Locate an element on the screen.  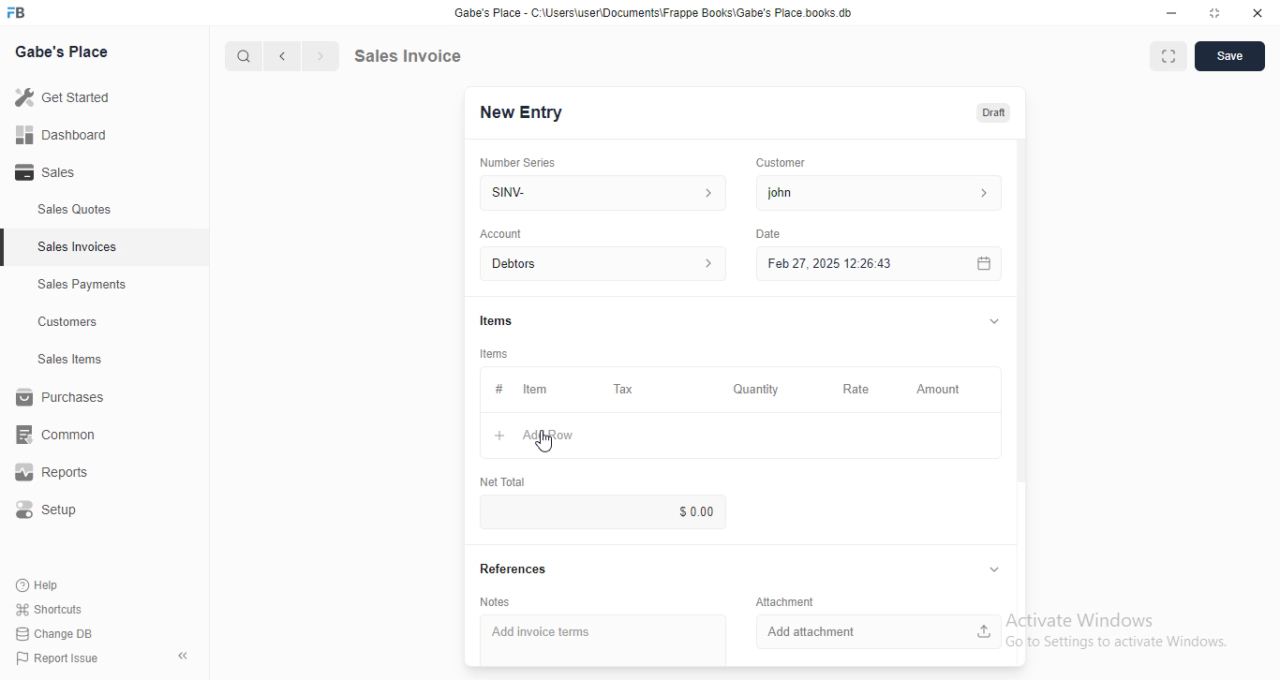
john  is located at coordinates (885, 192).